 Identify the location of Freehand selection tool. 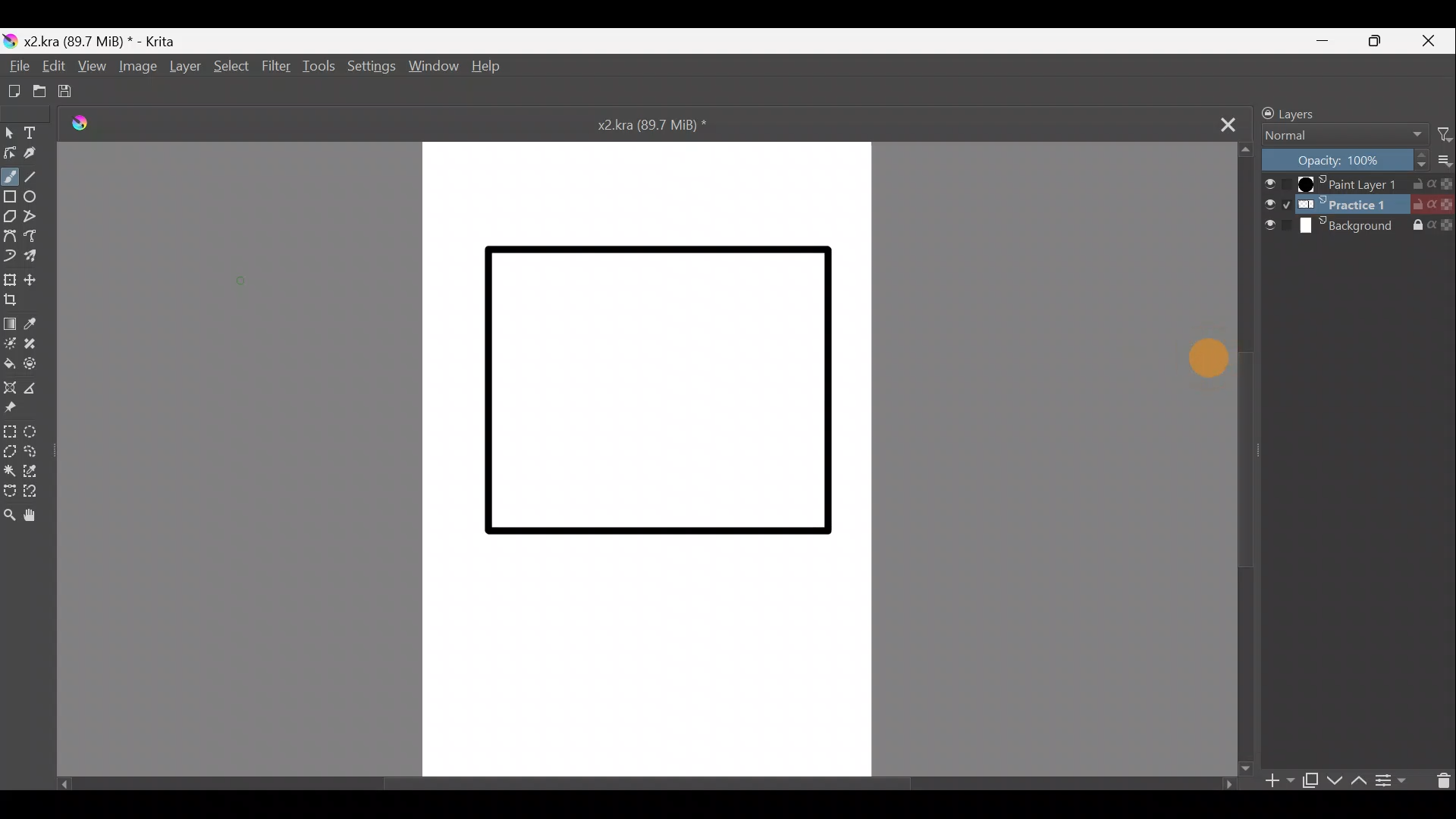
(36, 450).